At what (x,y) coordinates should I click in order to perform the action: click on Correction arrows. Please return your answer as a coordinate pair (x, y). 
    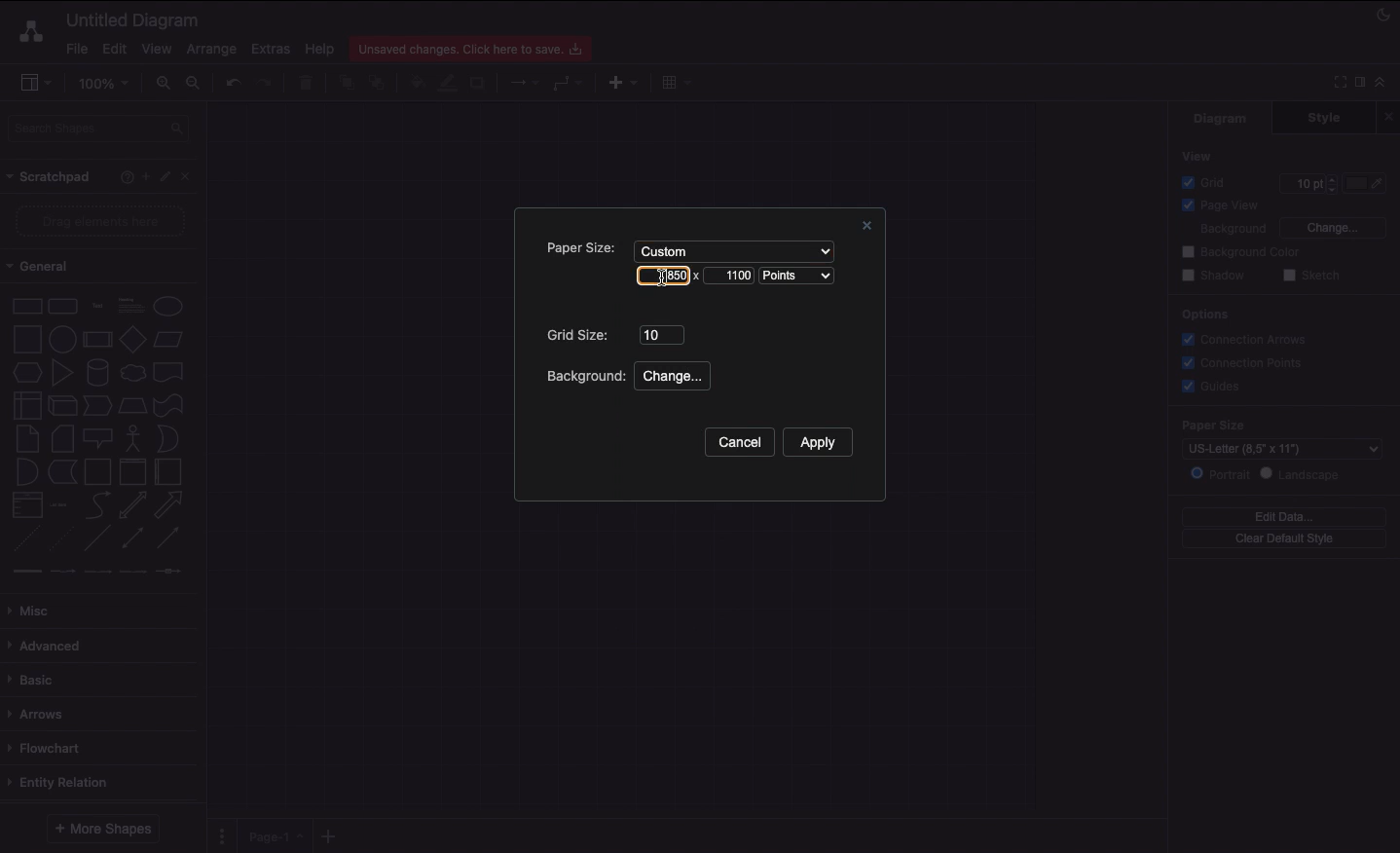
    Looking at the image, I should click on (1241, 338).